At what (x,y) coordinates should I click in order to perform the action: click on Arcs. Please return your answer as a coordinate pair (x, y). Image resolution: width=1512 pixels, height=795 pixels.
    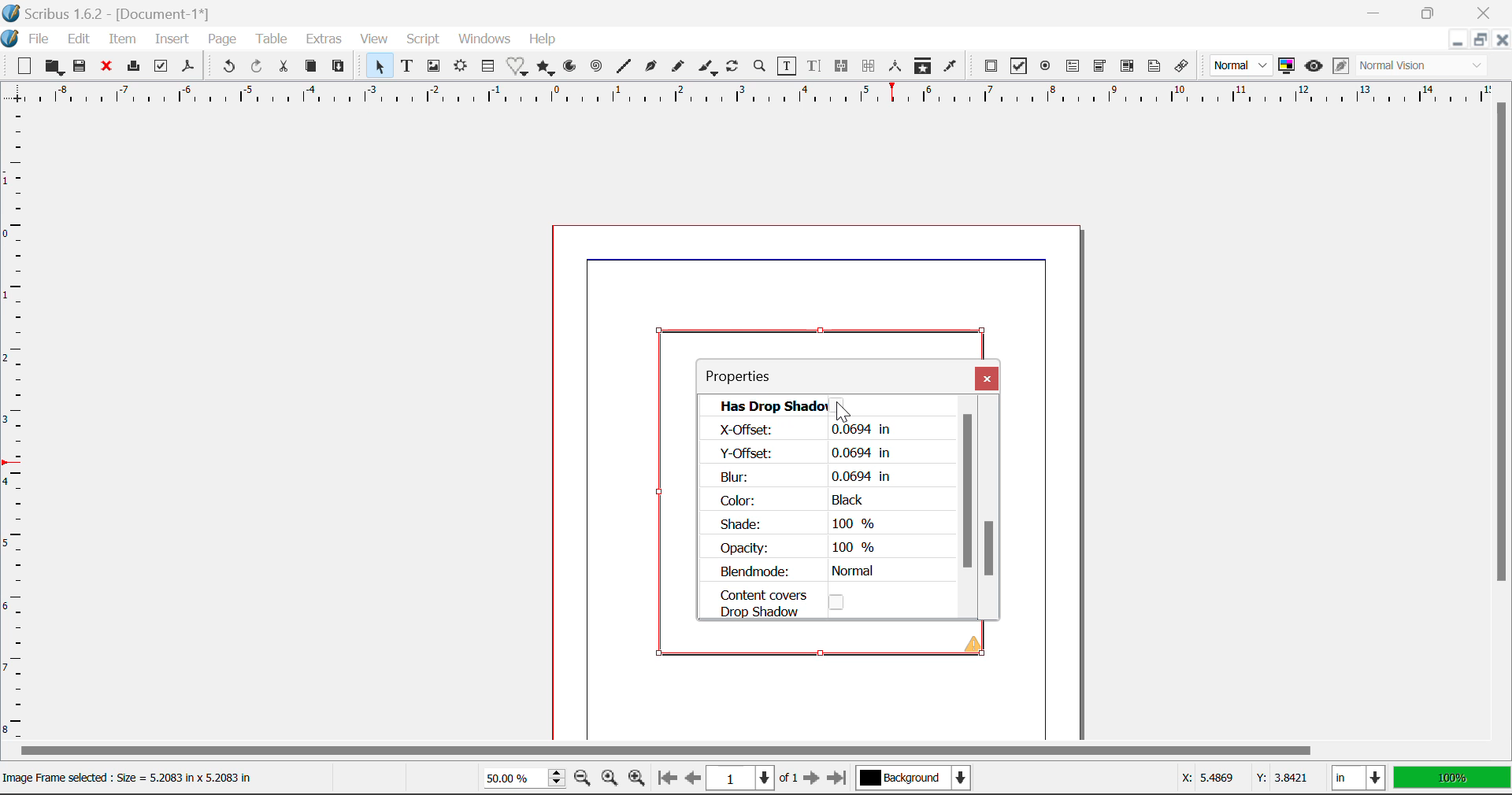
    Looking at the image, I should click on (568, 70).